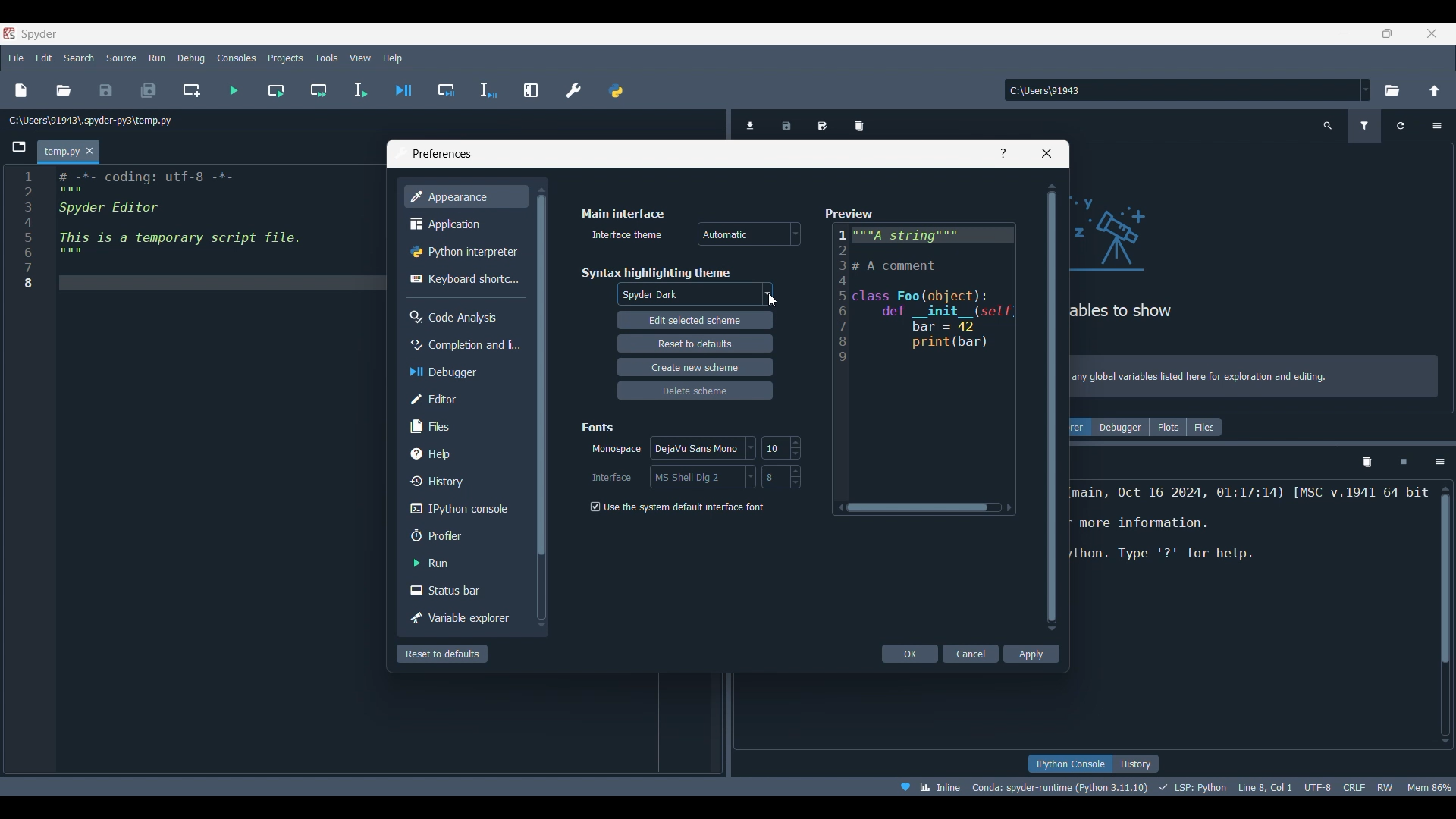  What do you see at coordinates (1366, 126) in the screenshot?
I see `Filter variables, current selection` at bounding box center [1366, 126].